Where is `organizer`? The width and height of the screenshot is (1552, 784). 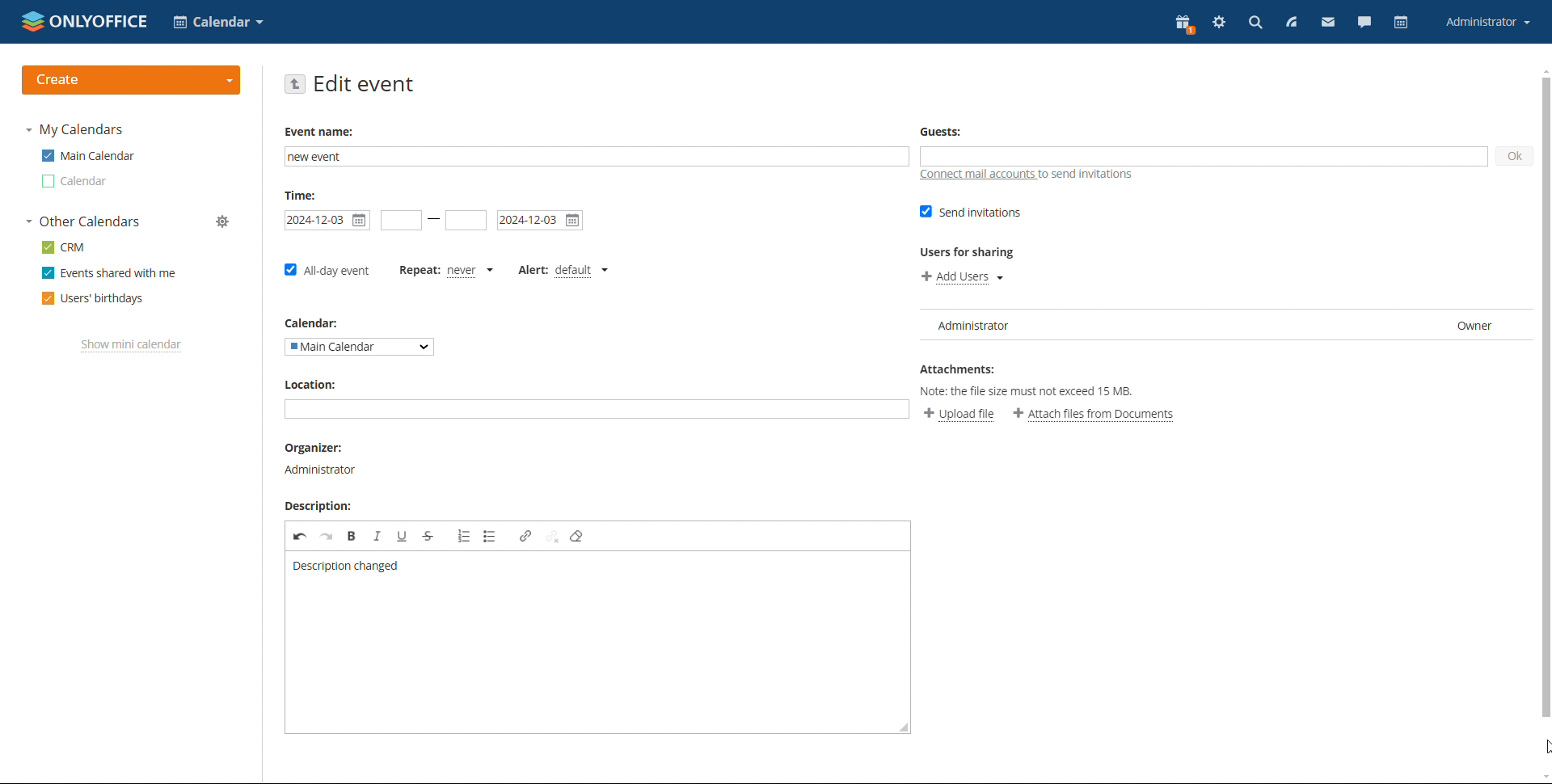
organizer is located at coordinates (319, 471).